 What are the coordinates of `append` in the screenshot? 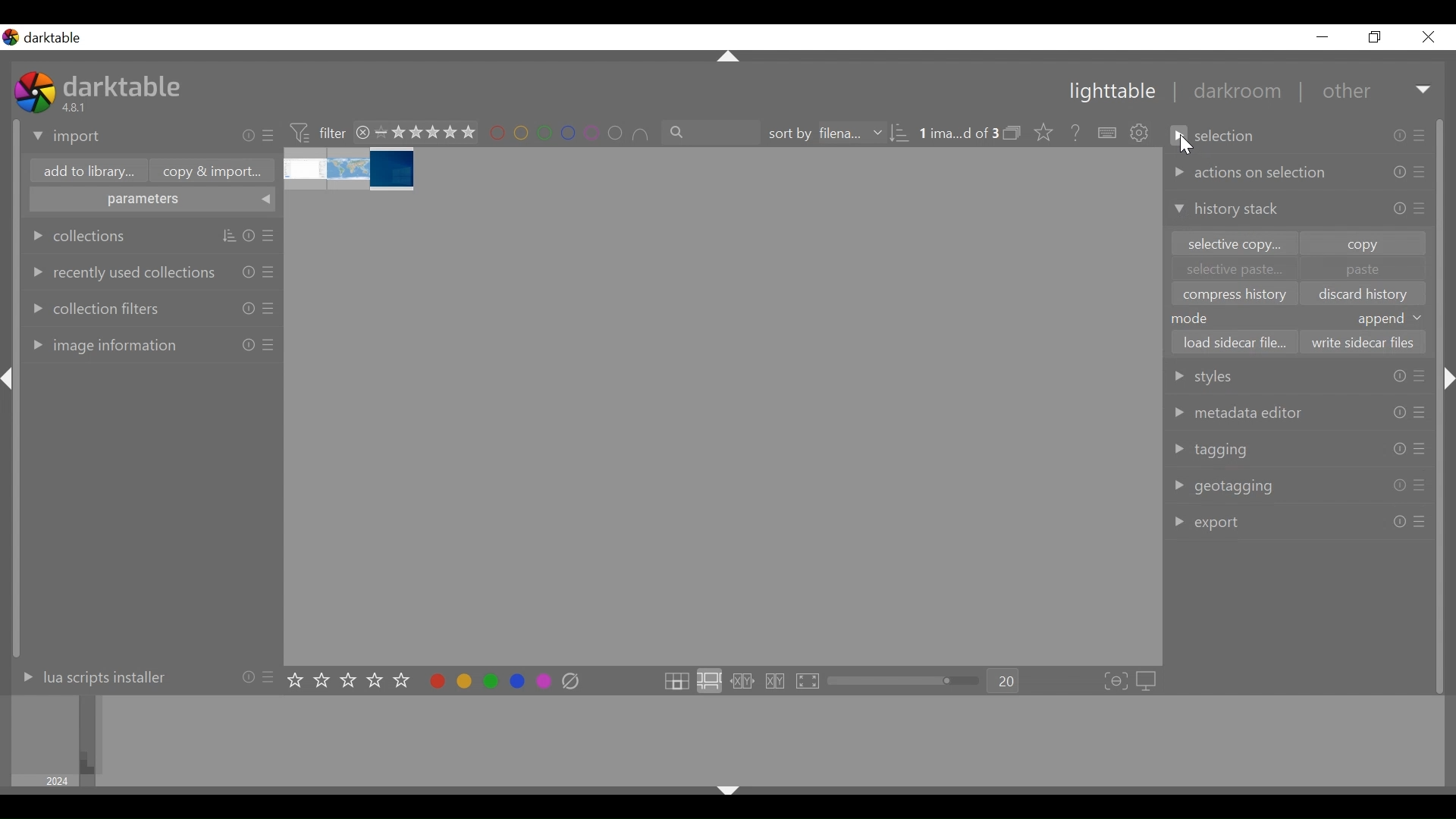 It's located at (1391, 318).